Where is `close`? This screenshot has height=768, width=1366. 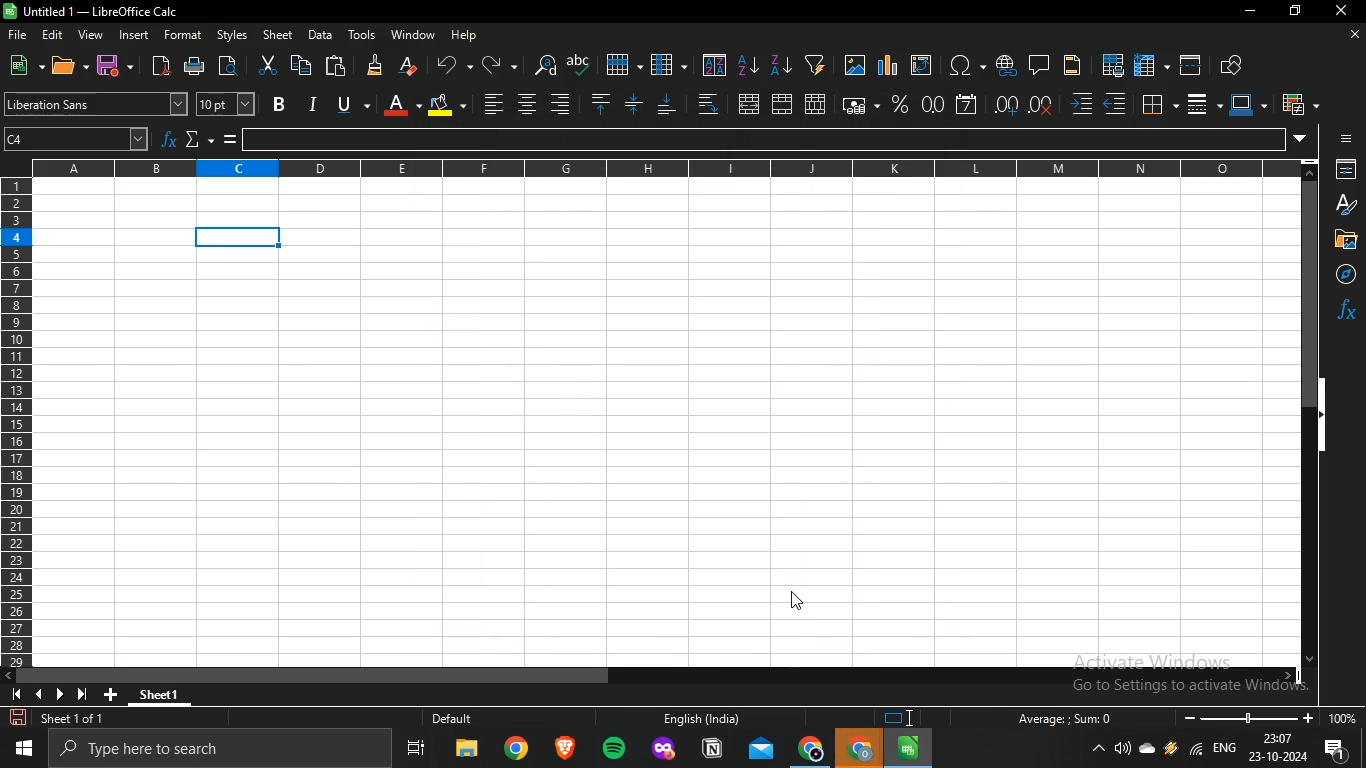
close is located at coordinates (1343, 13).